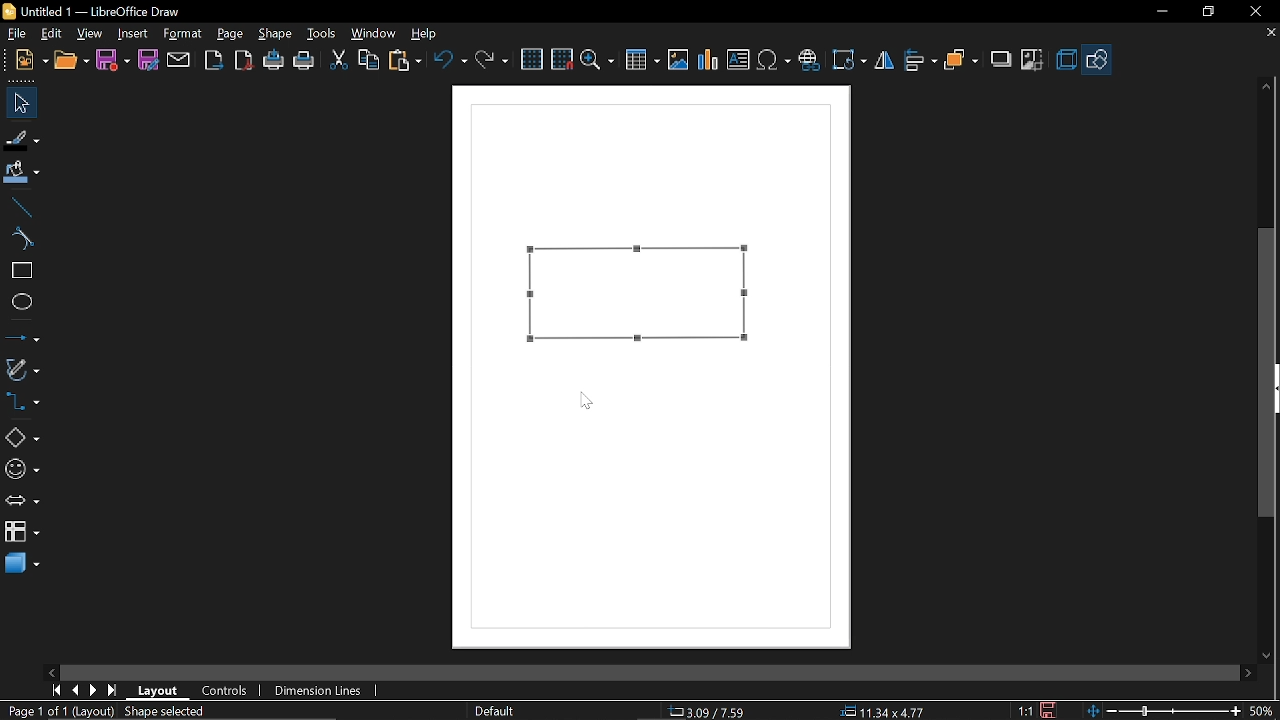 The height and width of the screenshot is (720, 1280). What do you see at coordinates (18, 301) in the screenshot?
I see `ellipse` at bounding box center [18, 301].